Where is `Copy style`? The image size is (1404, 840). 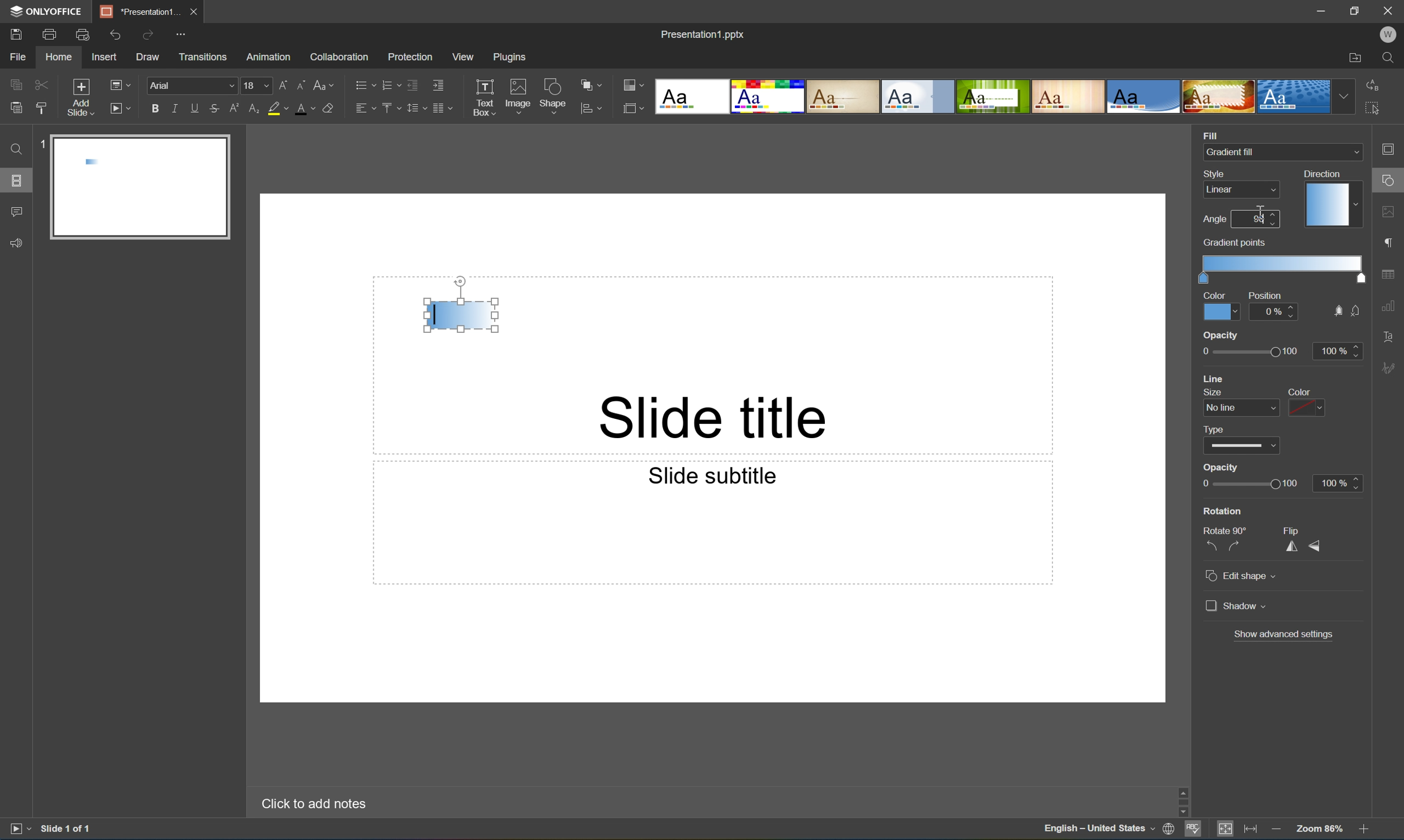
Copy style is located at coordinates (41, 108).